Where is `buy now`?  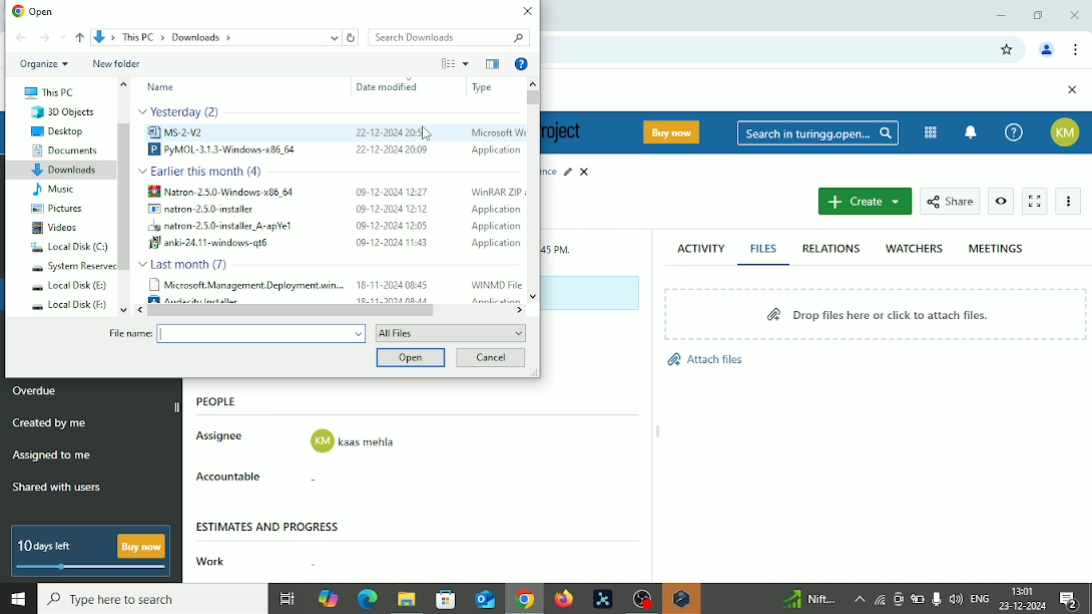 buy now is located at coordinates (142, 546).